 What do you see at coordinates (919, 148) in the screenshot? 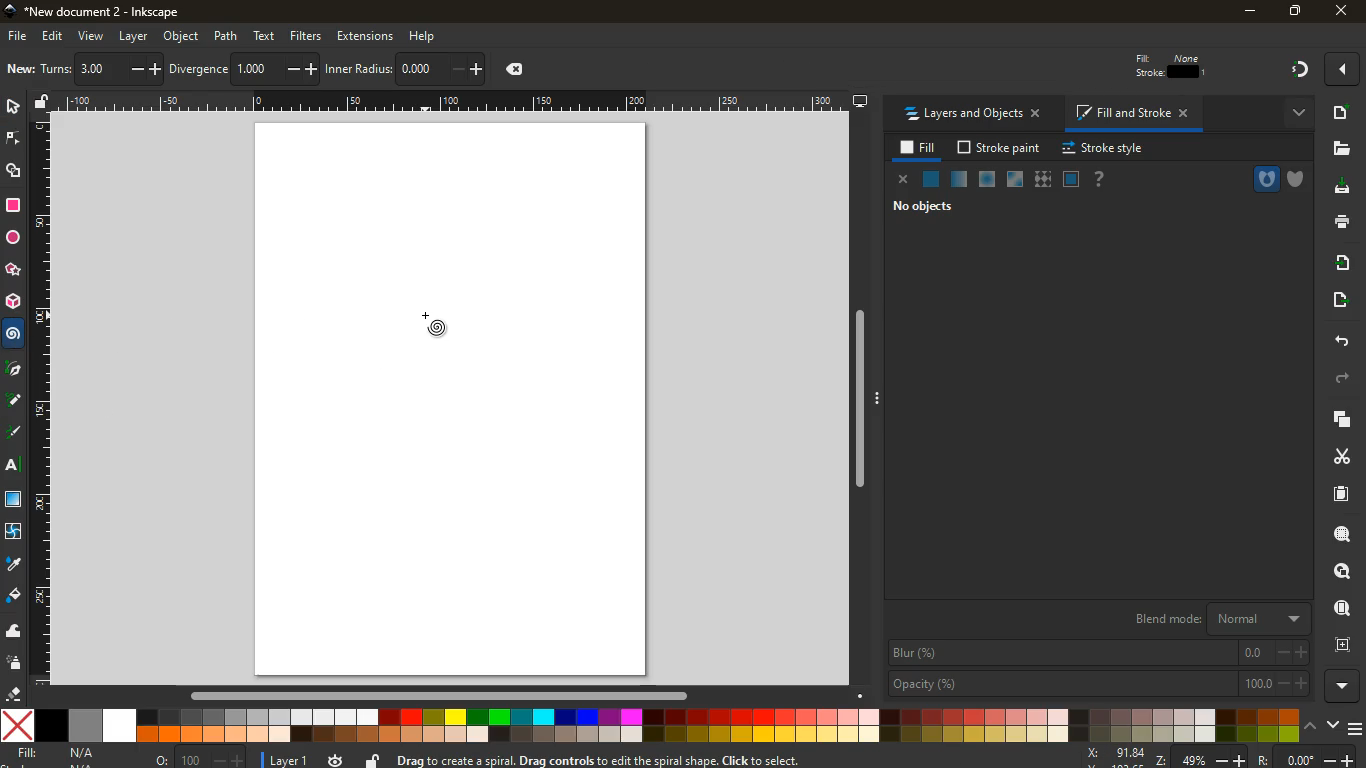
I see `fill` at bounding box center [919, 148].